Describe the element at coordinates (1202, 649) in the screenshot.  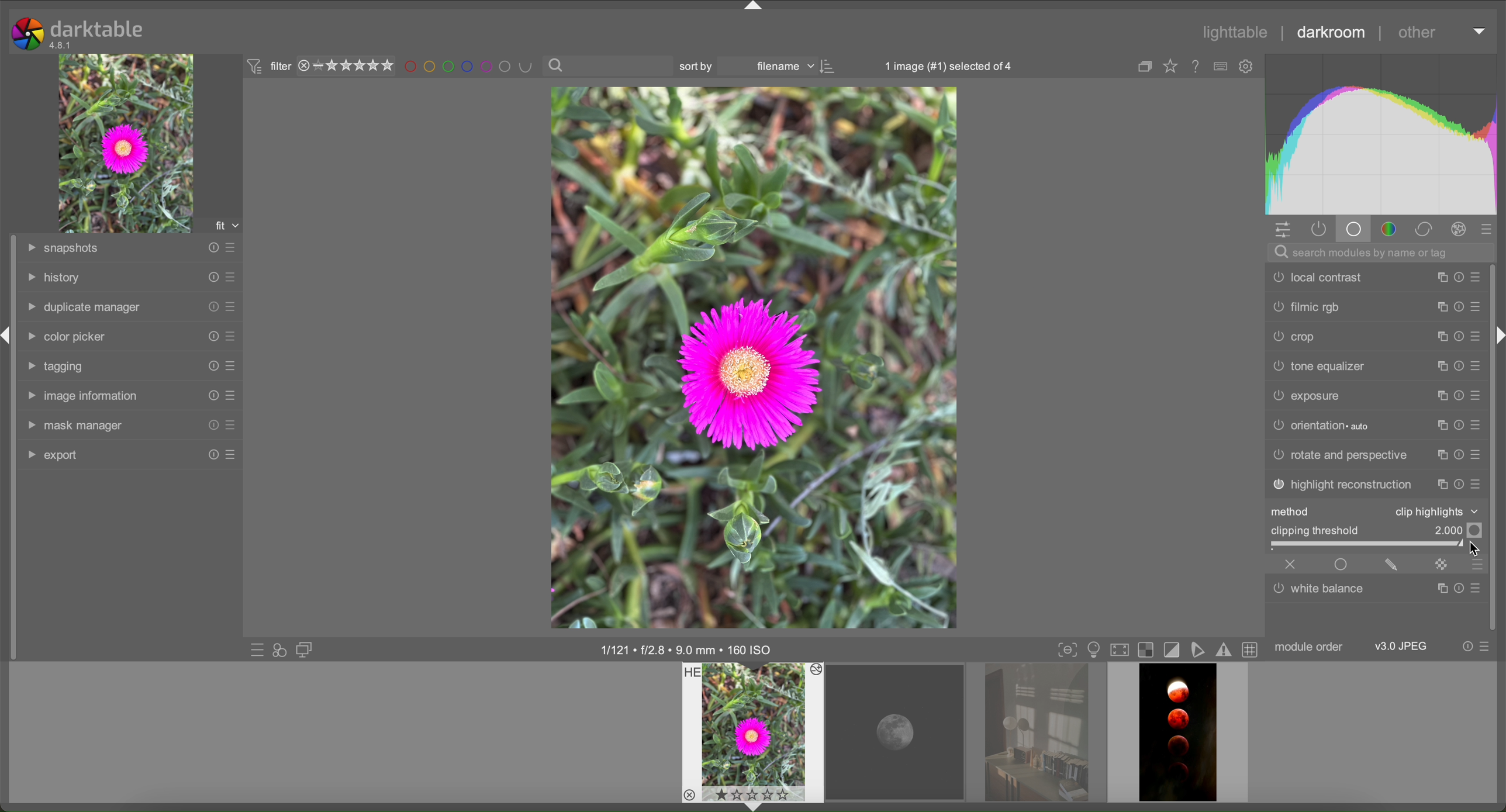
I see `softproofing` at that location.